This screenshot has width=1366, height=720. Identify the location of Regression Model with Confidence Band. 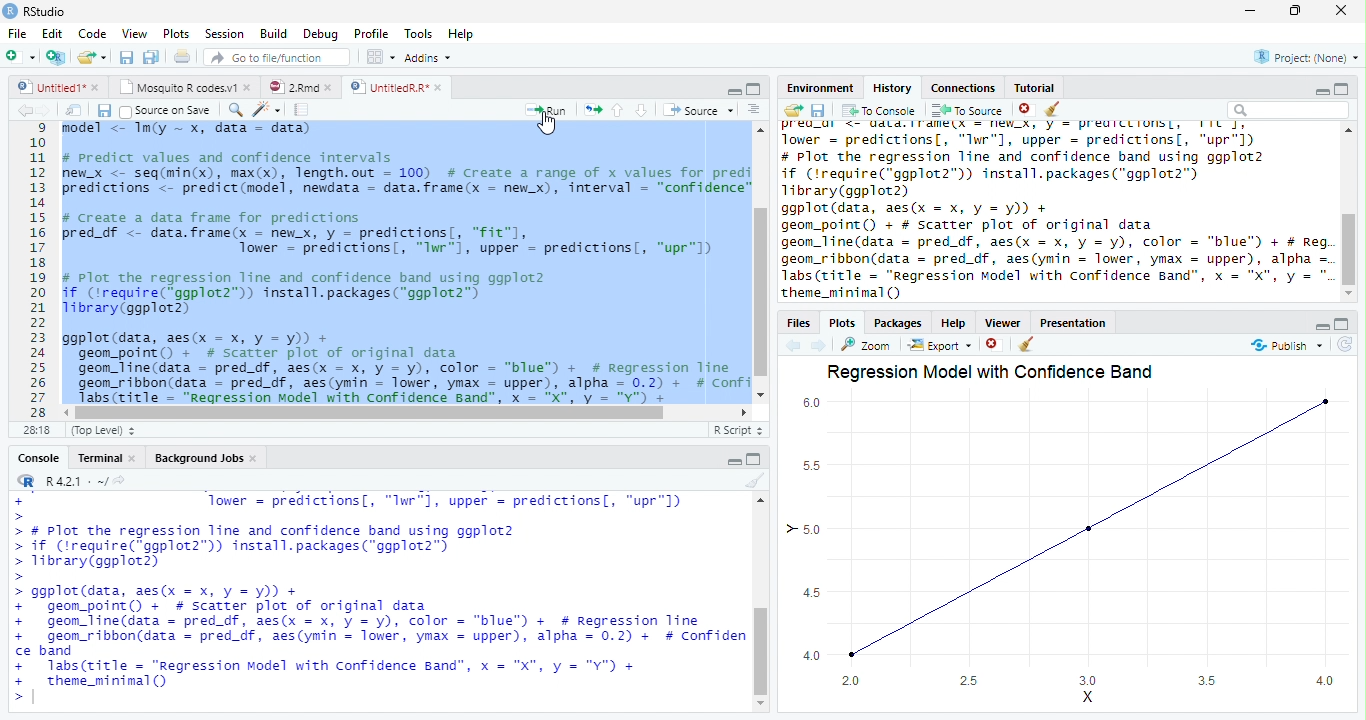
(1002, 374).